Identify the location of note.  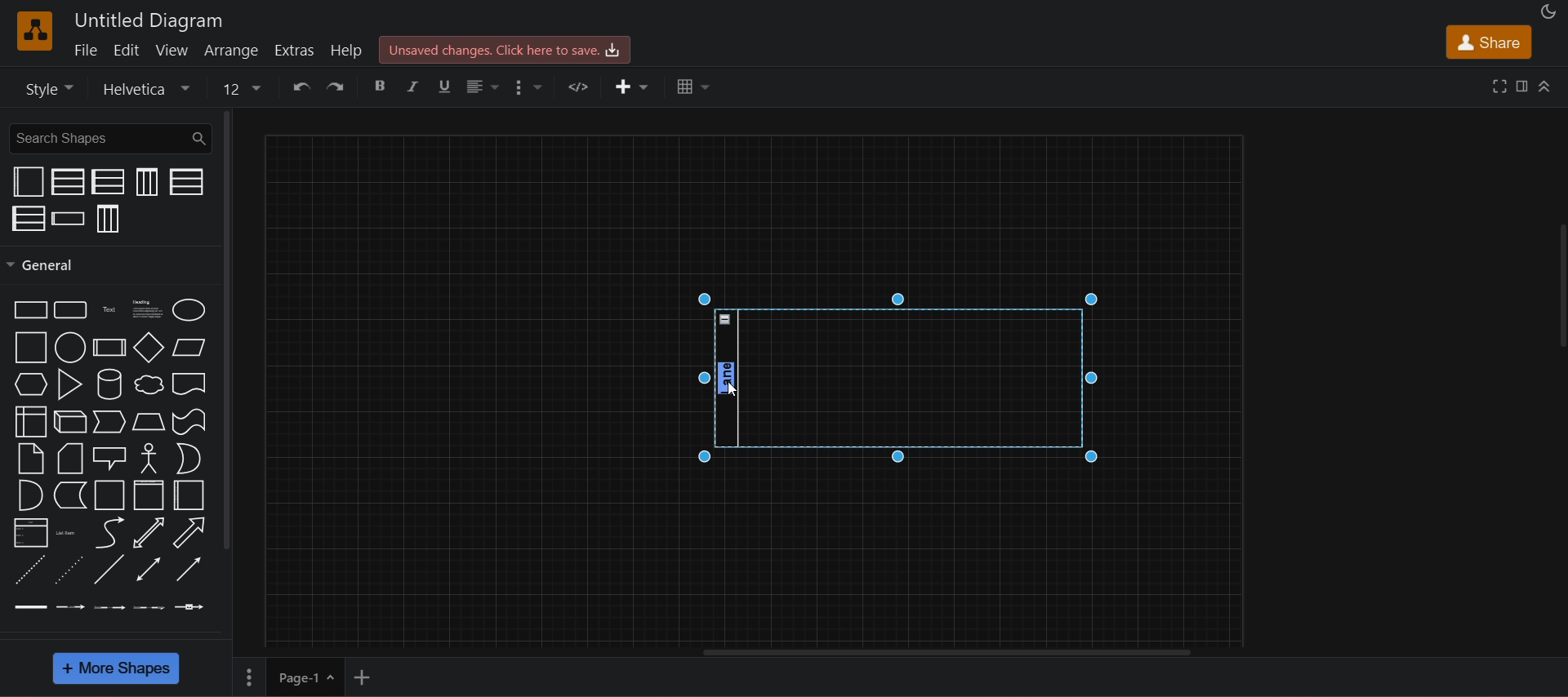
(32, 458).